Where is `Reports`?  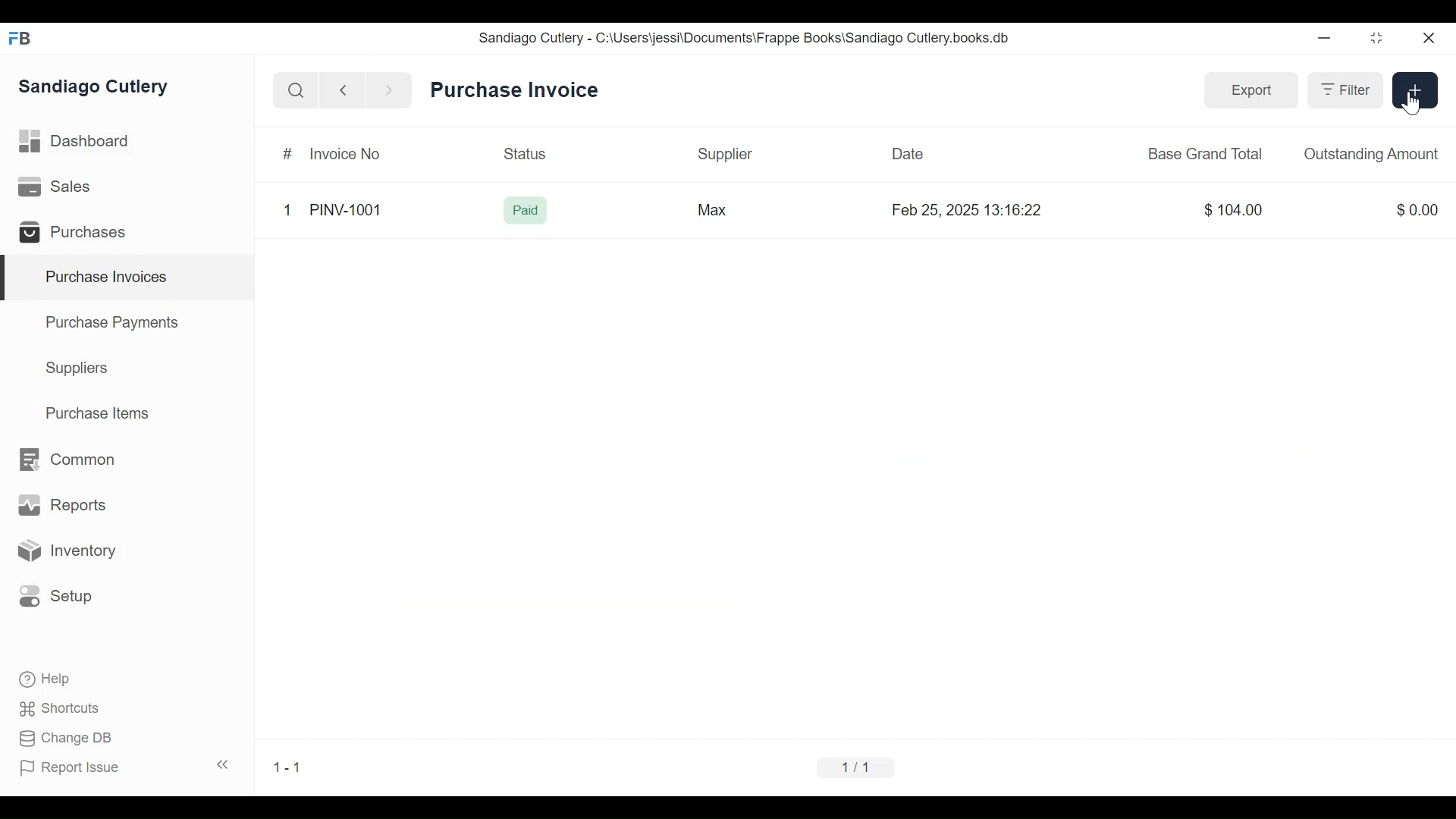
Reports is located at coordinates (62, 508).